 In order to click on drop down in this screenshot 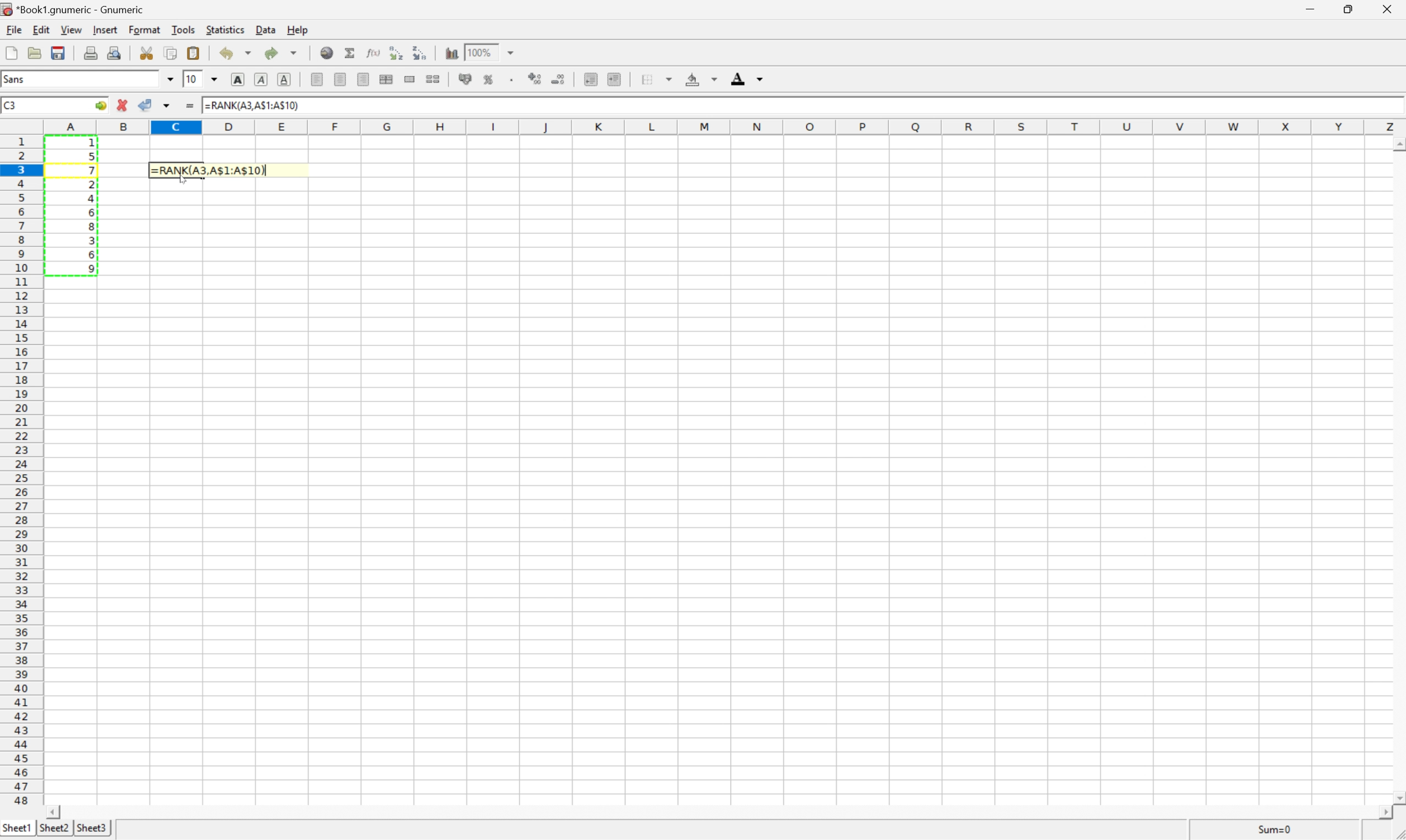, I will do `click(215, 79)`.